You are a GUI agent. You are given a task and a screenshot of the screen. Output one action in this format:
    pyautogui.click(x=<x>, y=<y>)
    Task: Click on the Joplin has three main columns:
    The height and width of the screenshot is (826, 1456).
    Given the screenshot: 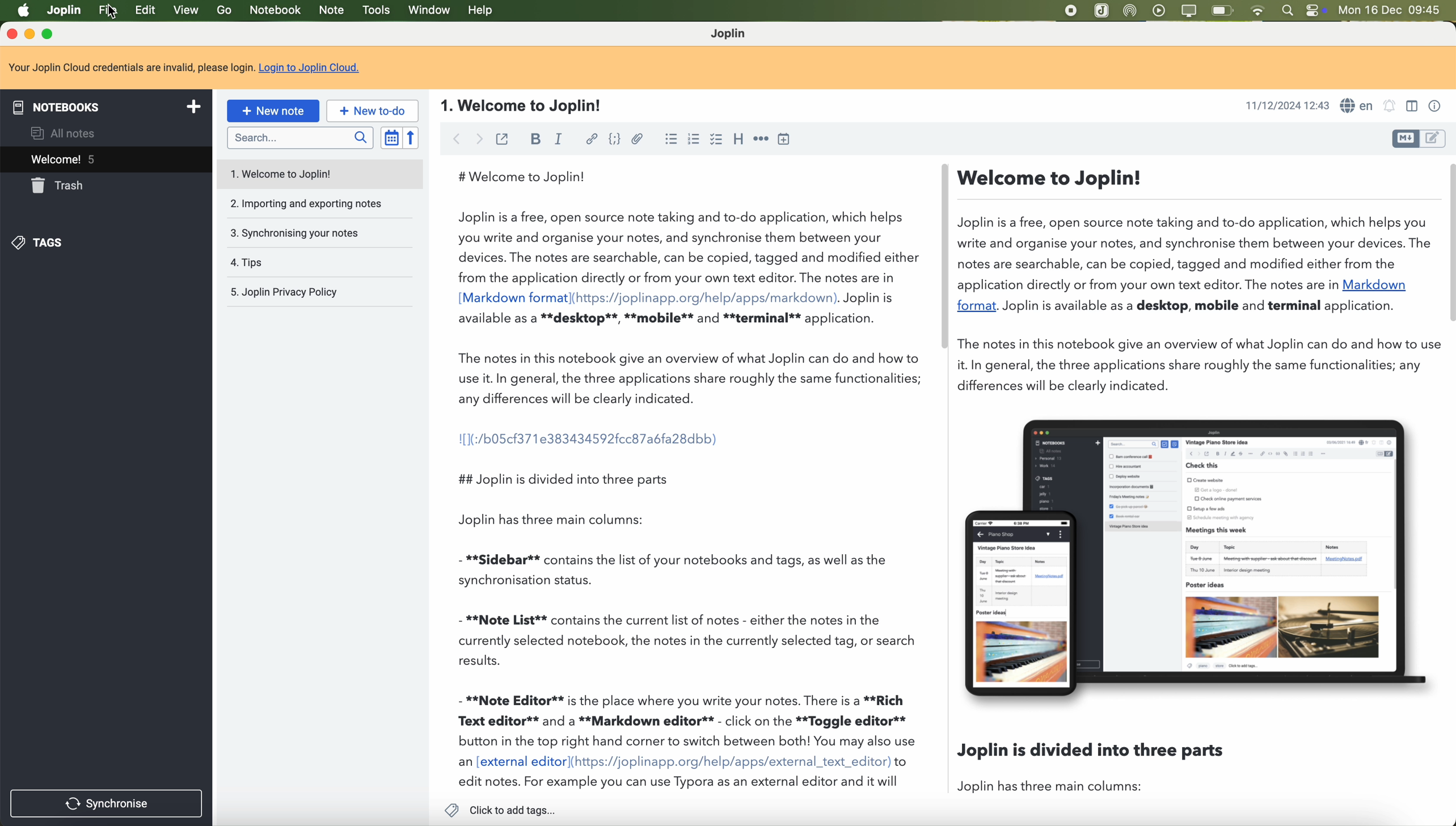 What is the action you would take?
    pyautogui.click(x=568, y=520)
    